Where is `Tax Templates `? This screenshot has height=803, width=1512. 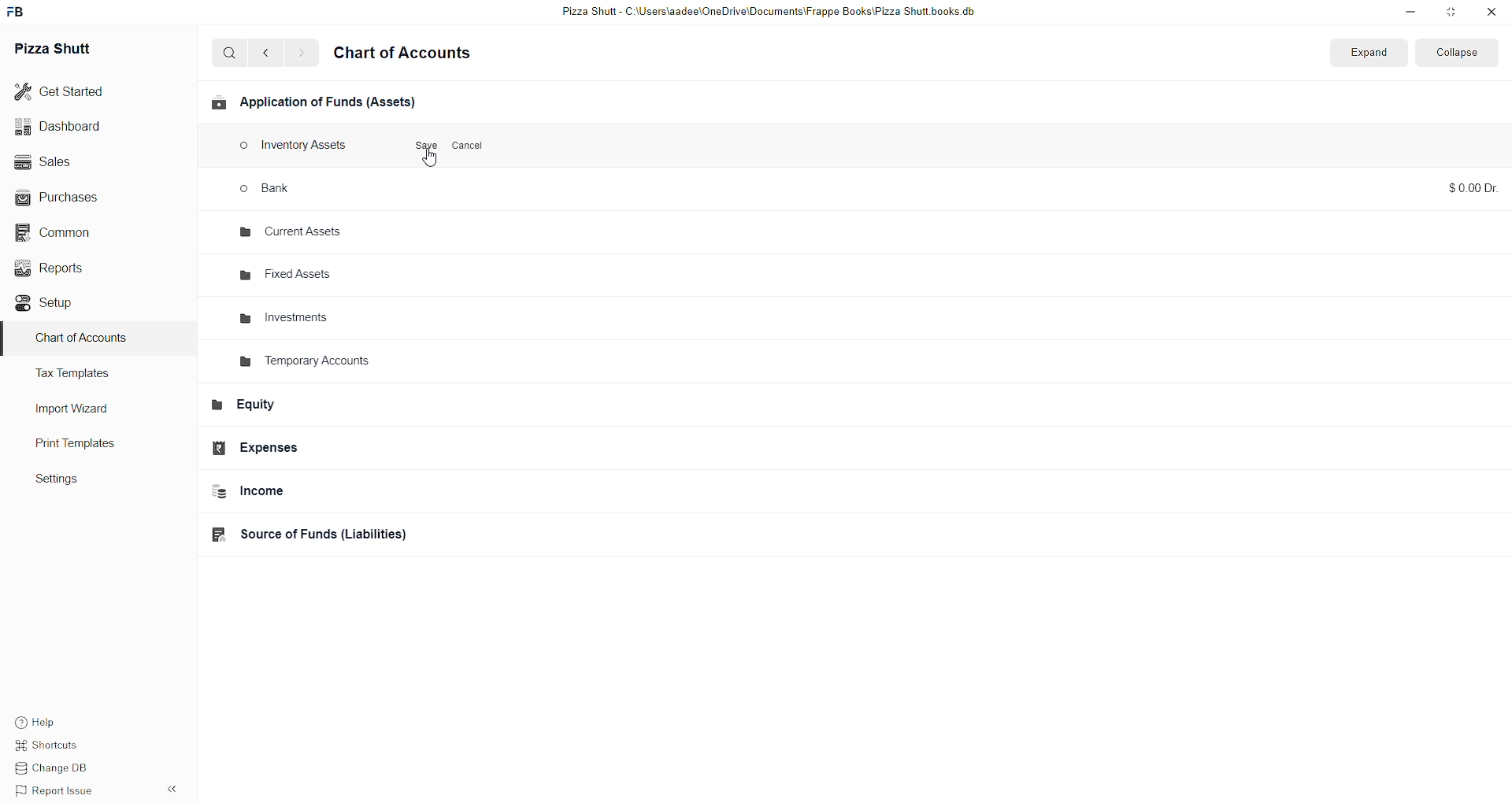
Tax Templates  is located at coordinates (92, 376).